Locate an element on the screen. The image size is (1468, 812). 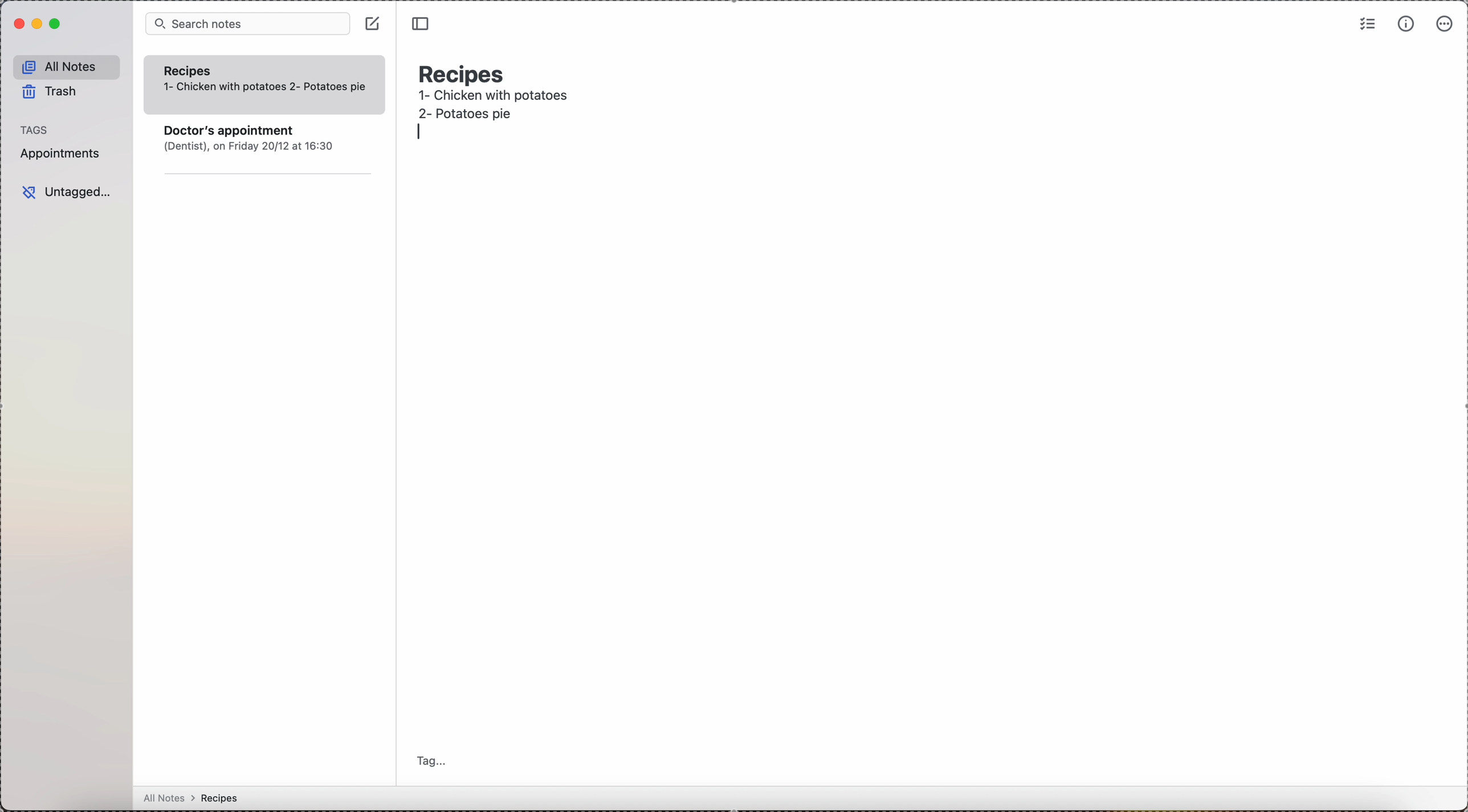
all notes is located at coordinates (229, 798).